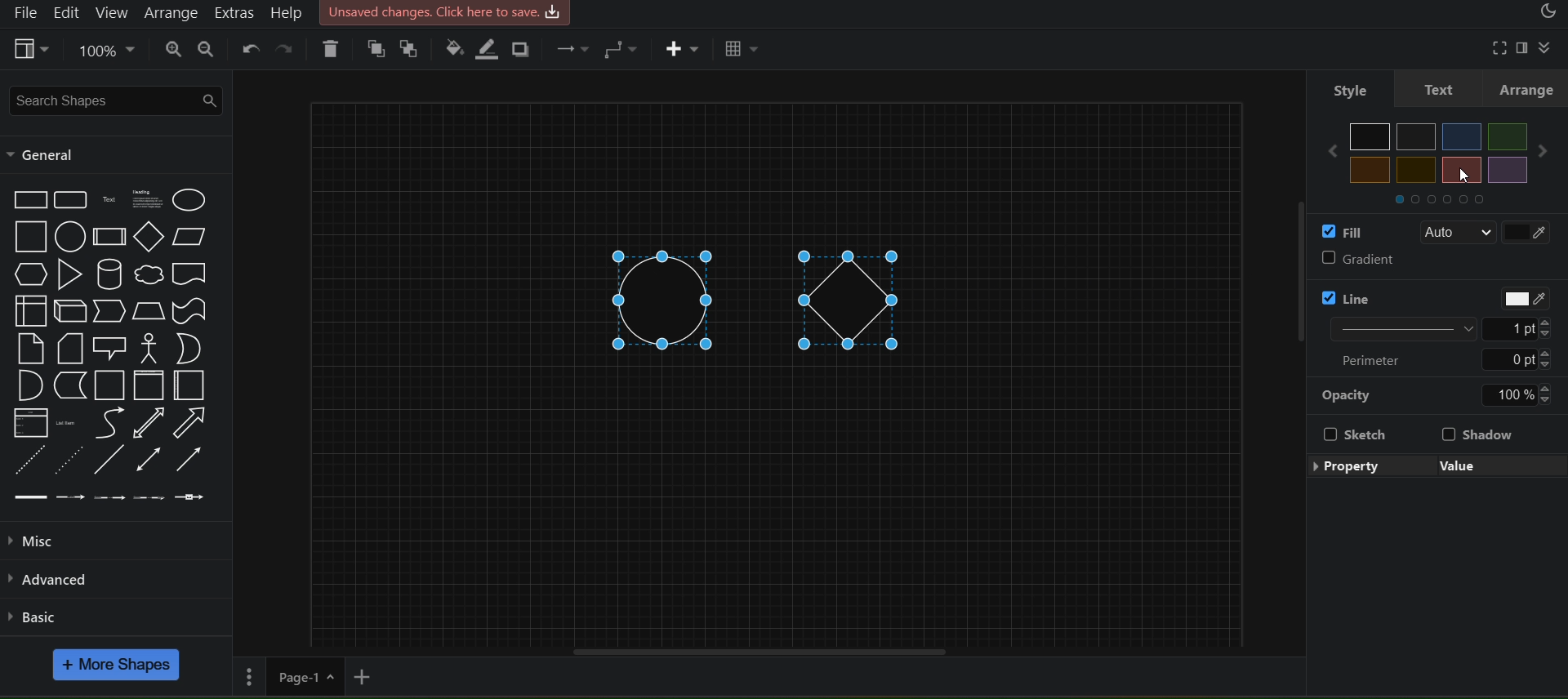  What do you see at coordinates (146, 199) in the screenshot?
I see `Textbox` at bounding box center [146, 199].